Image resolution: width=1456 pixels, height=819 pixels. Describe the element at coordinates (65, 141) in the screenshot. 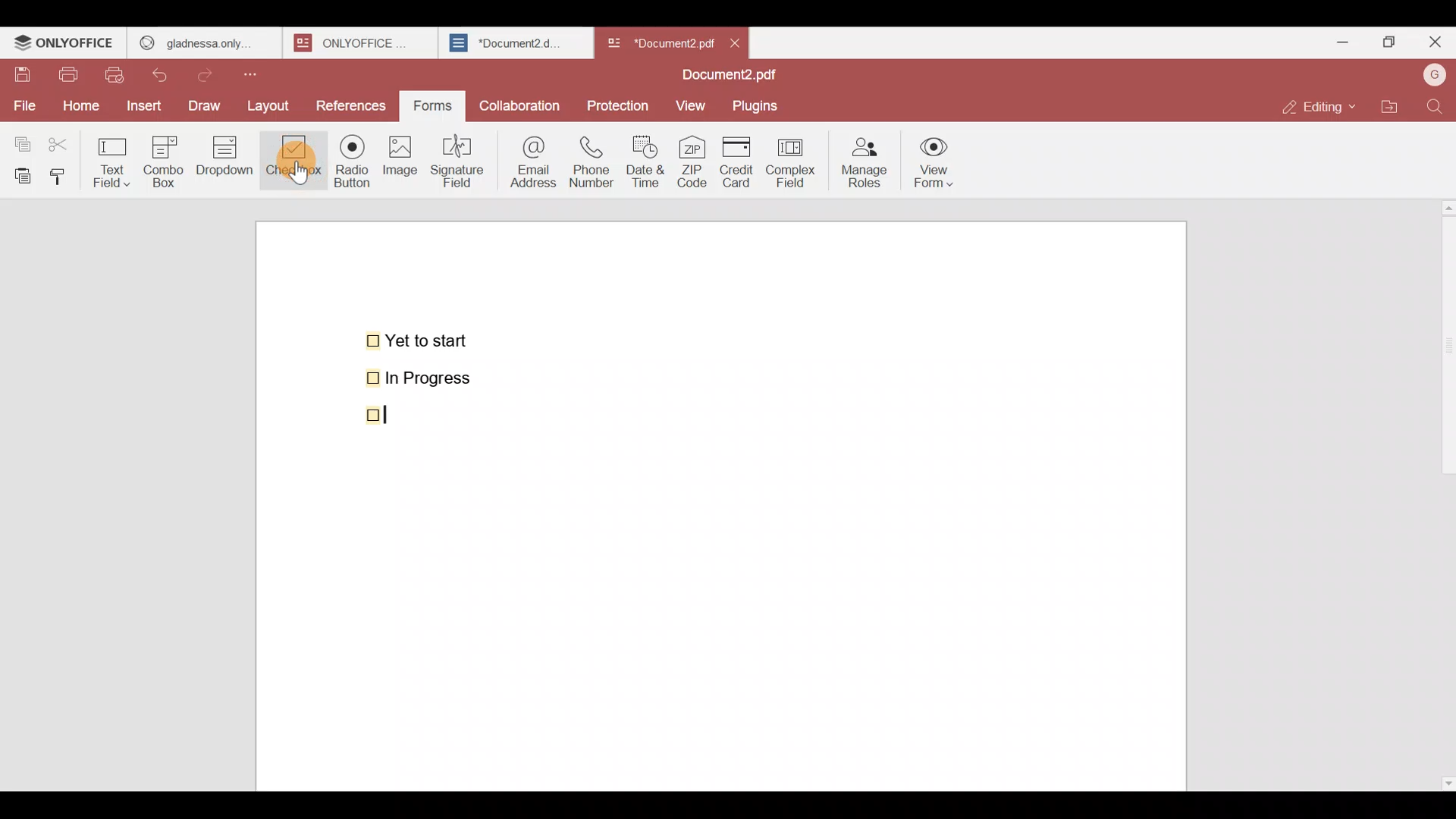

I see `Cut` at that location.